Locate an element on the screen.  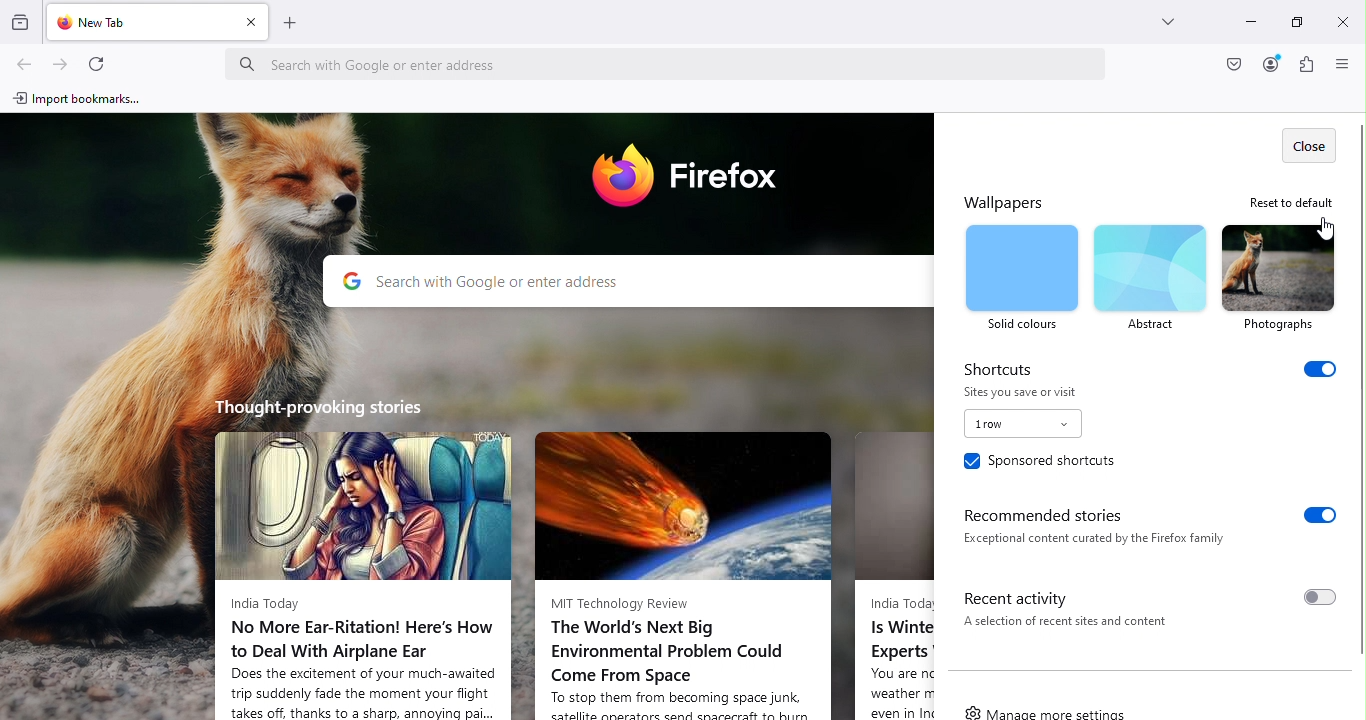
Firefox icon is located at coordinates (691, 178).